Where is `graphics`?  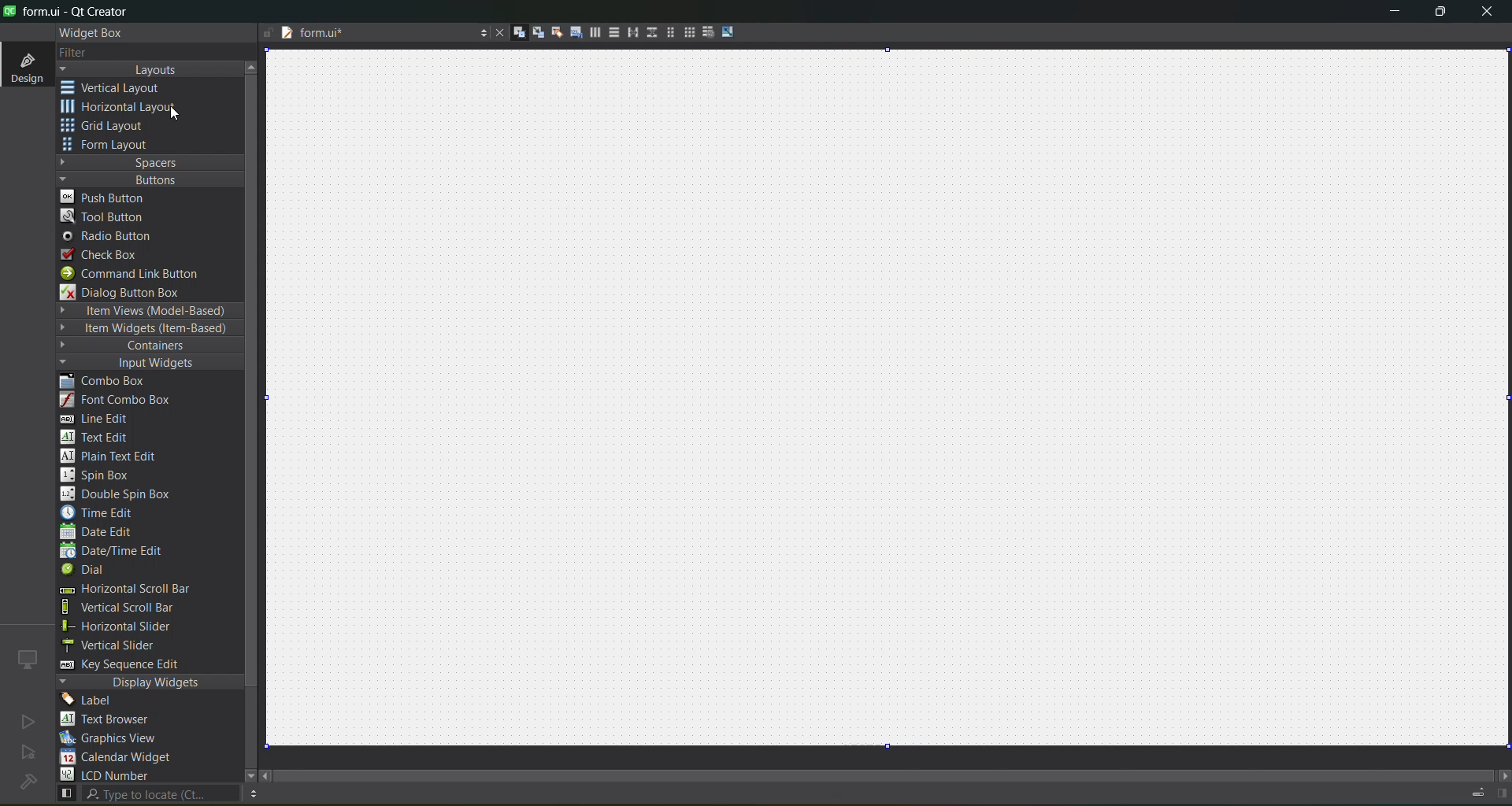
graphics is located at coordinates (115, 738).